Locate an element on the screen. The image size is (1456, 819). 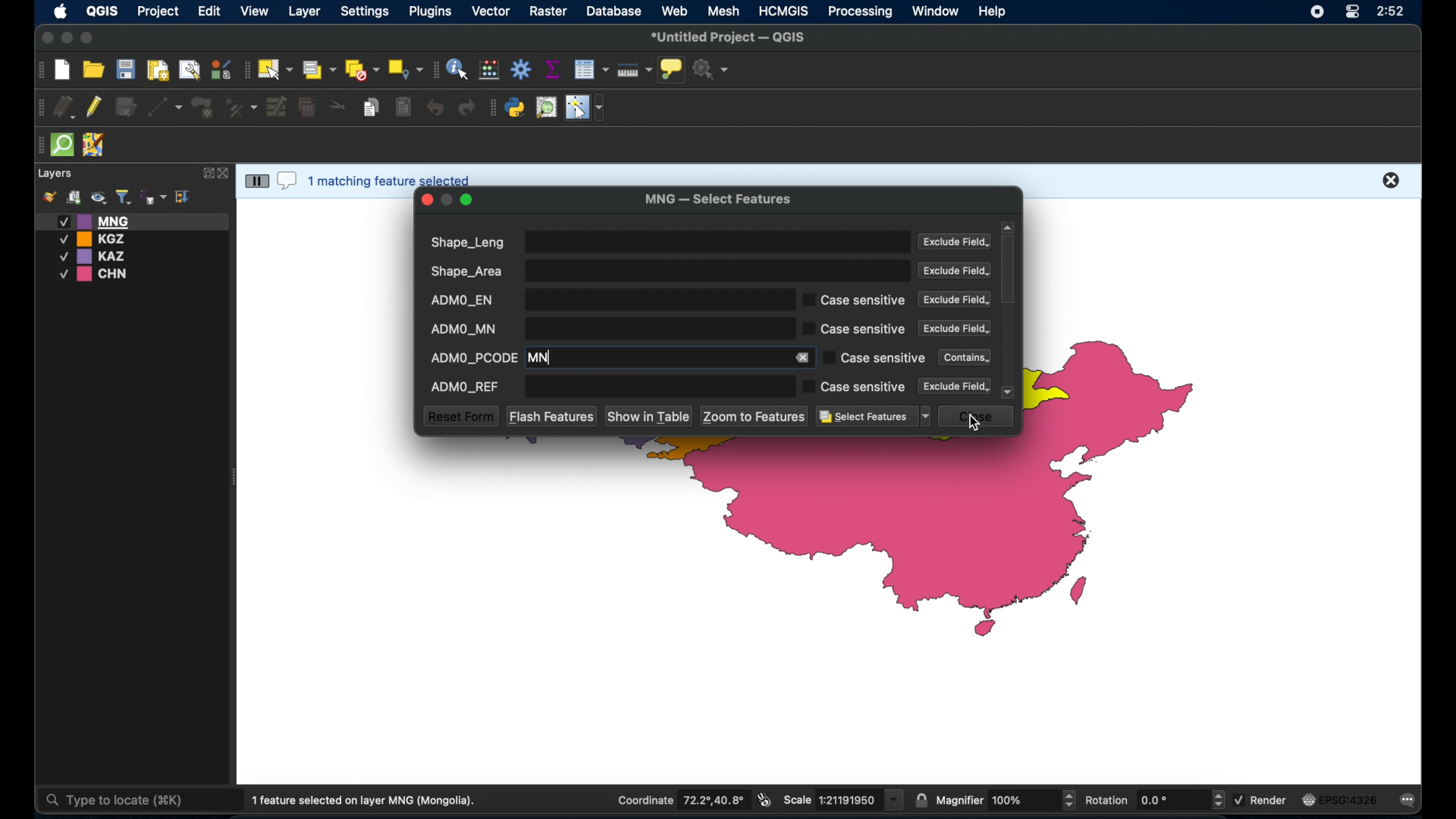
edit is located at coordinates (209, 12).